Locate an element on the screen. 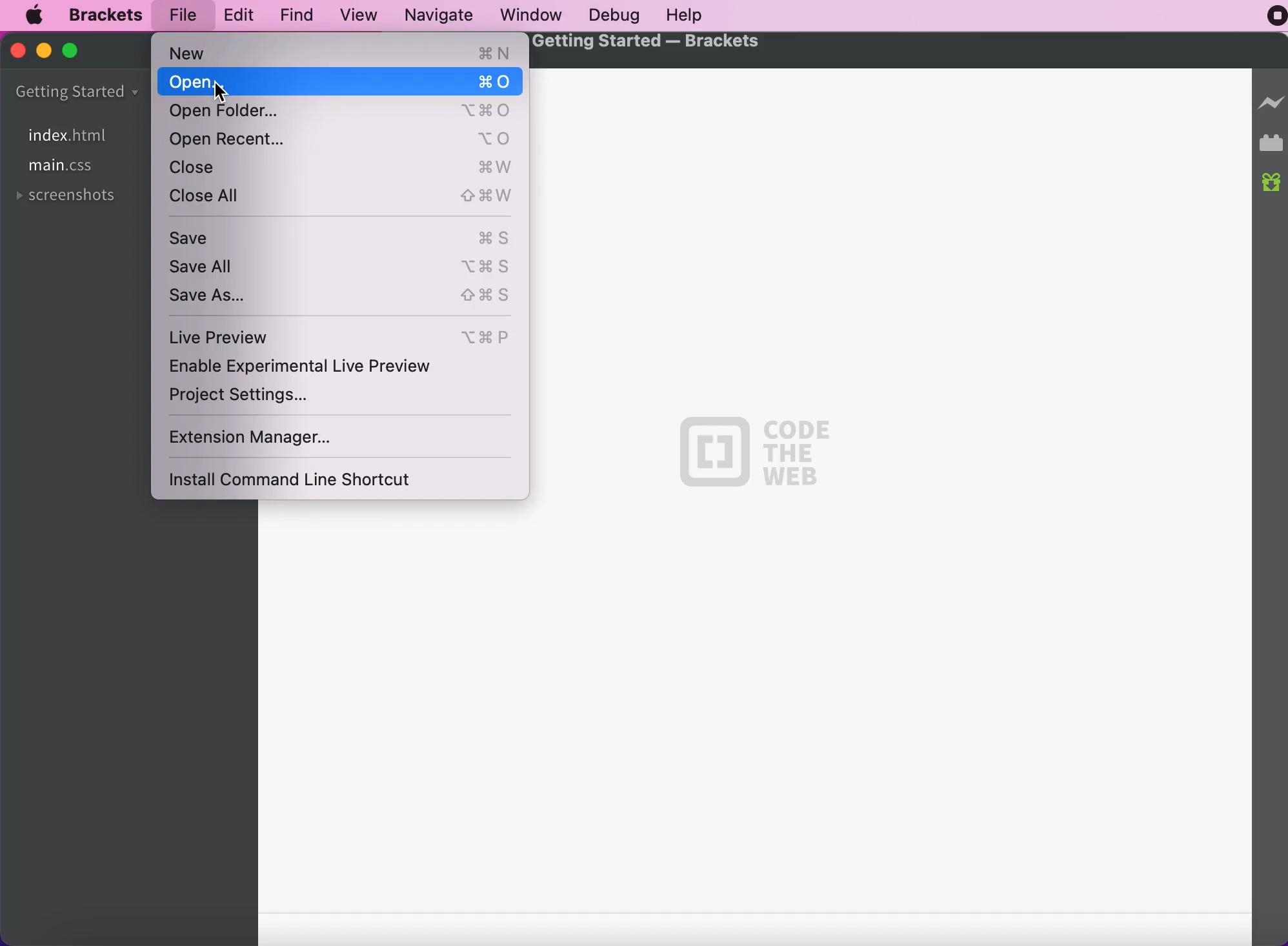 Image resolution: width=1288 pixels, height=946 pixels. new is located at coordinates (341, 54).